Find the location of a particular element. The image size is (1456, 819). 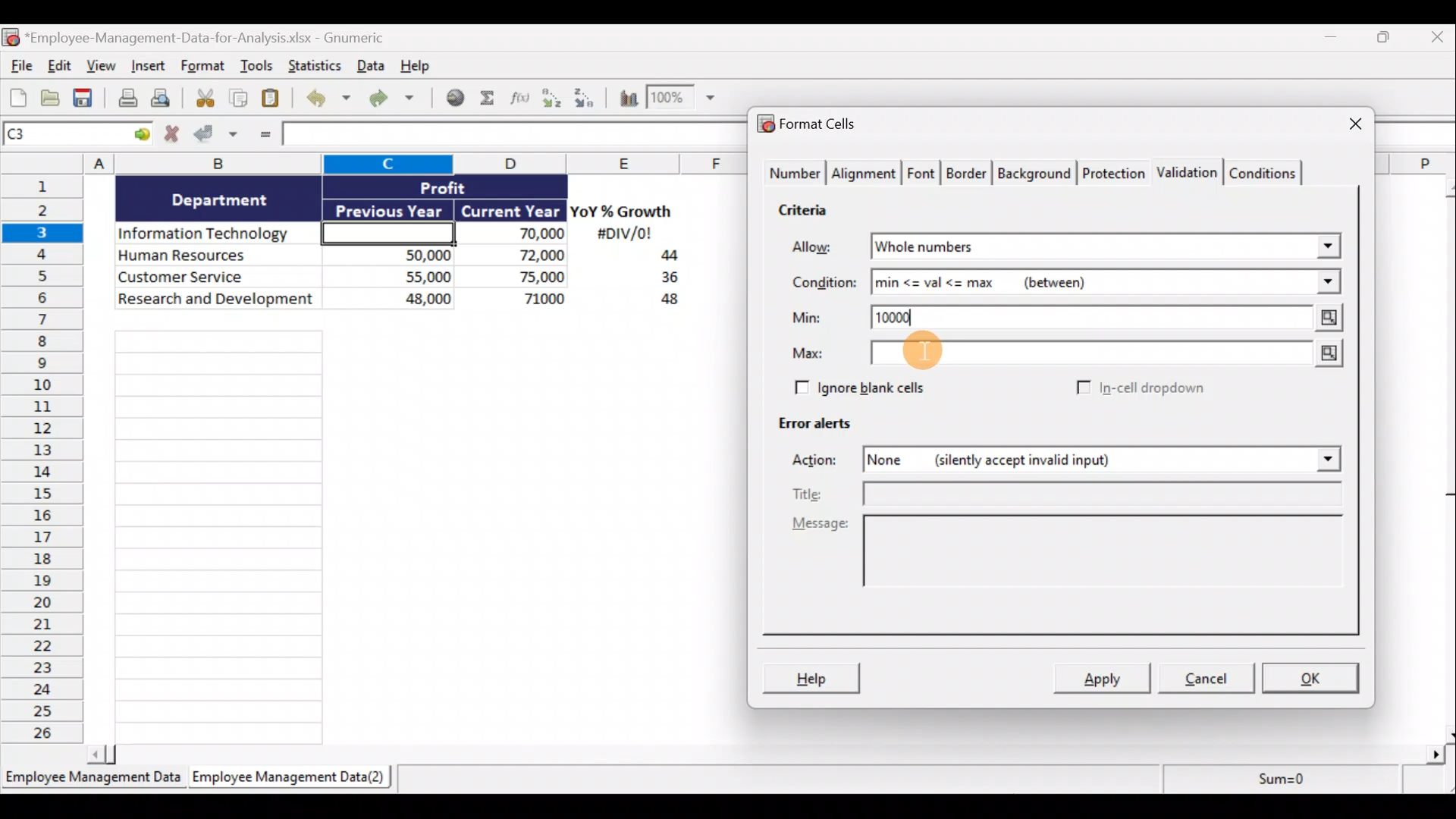

Insert is located at coordinates (151, 69).